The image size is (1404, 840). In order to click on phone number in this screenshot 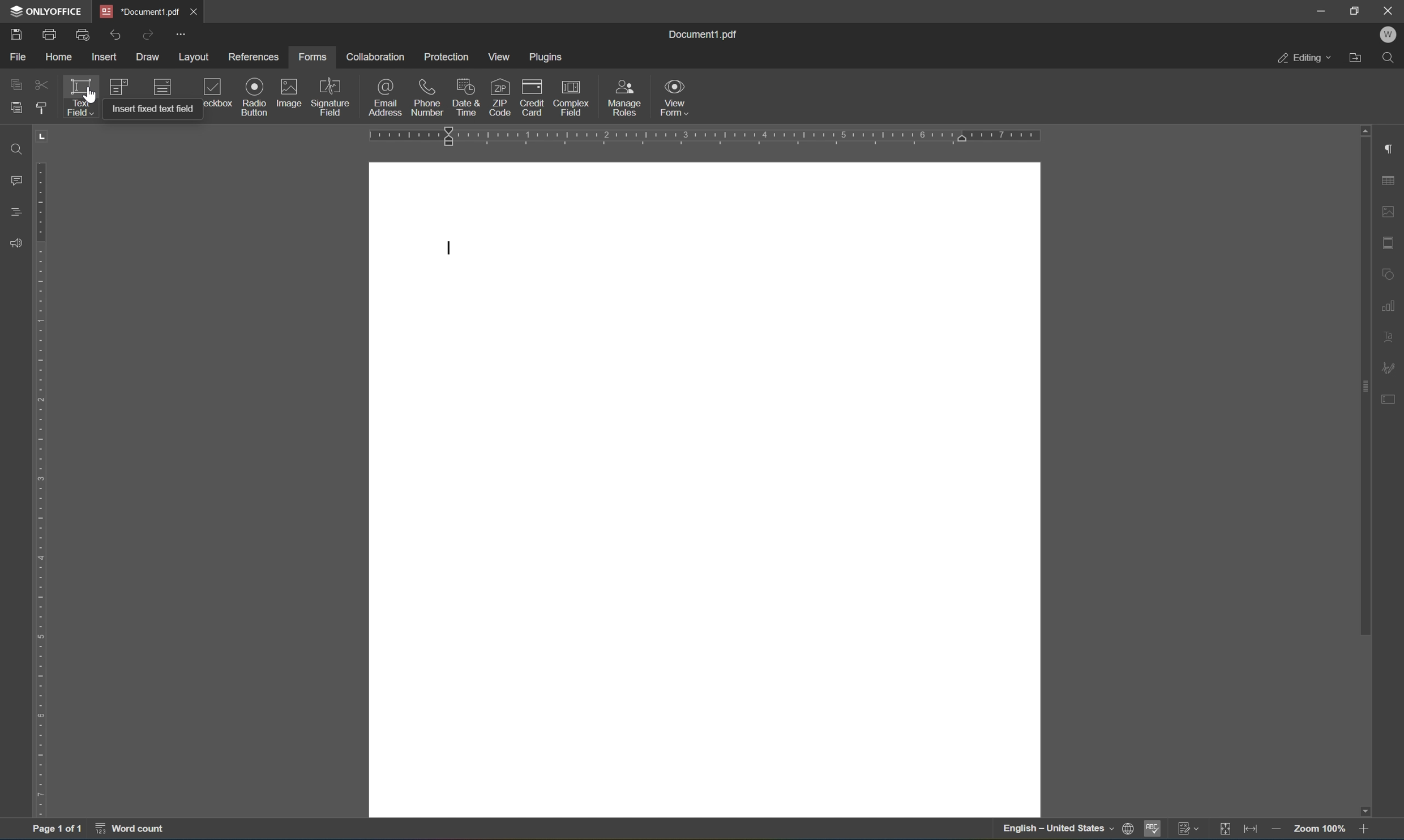, I will do `click(426, 96)`.